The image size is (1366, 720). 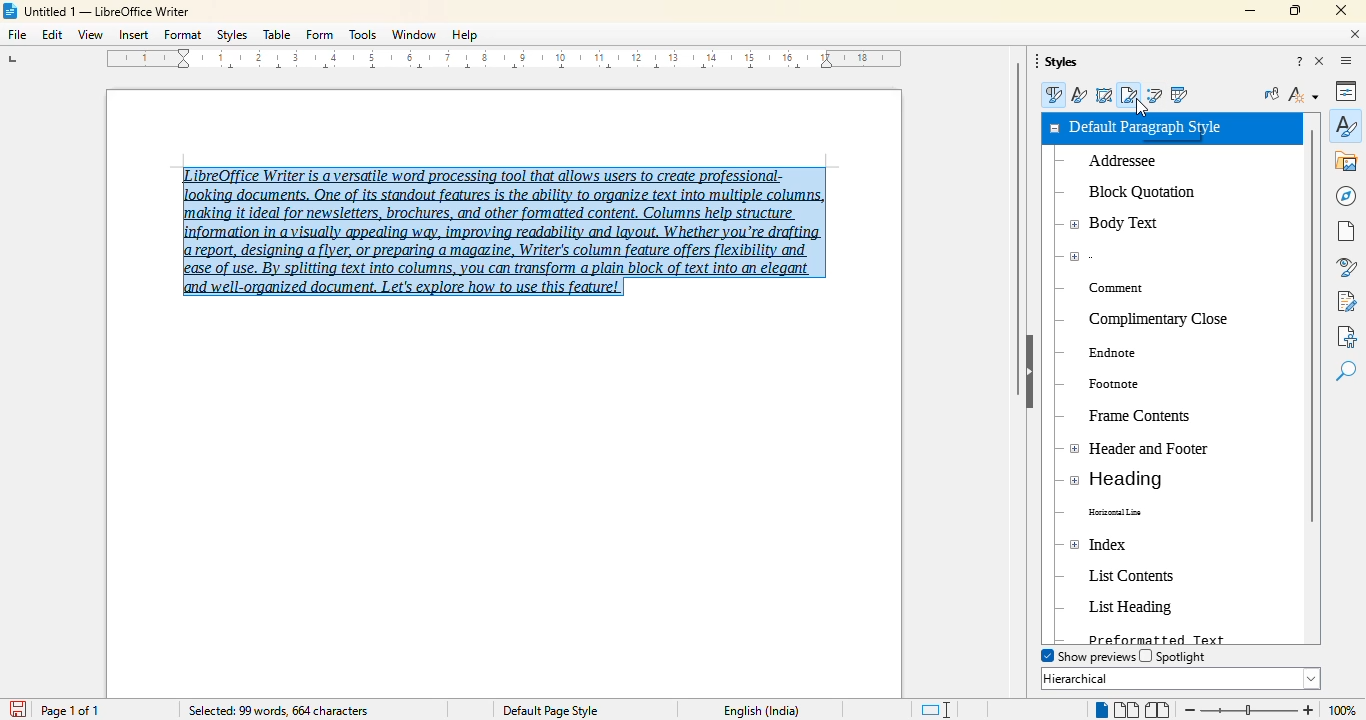 I want to click on maximize, so click(x=1294, y=10).